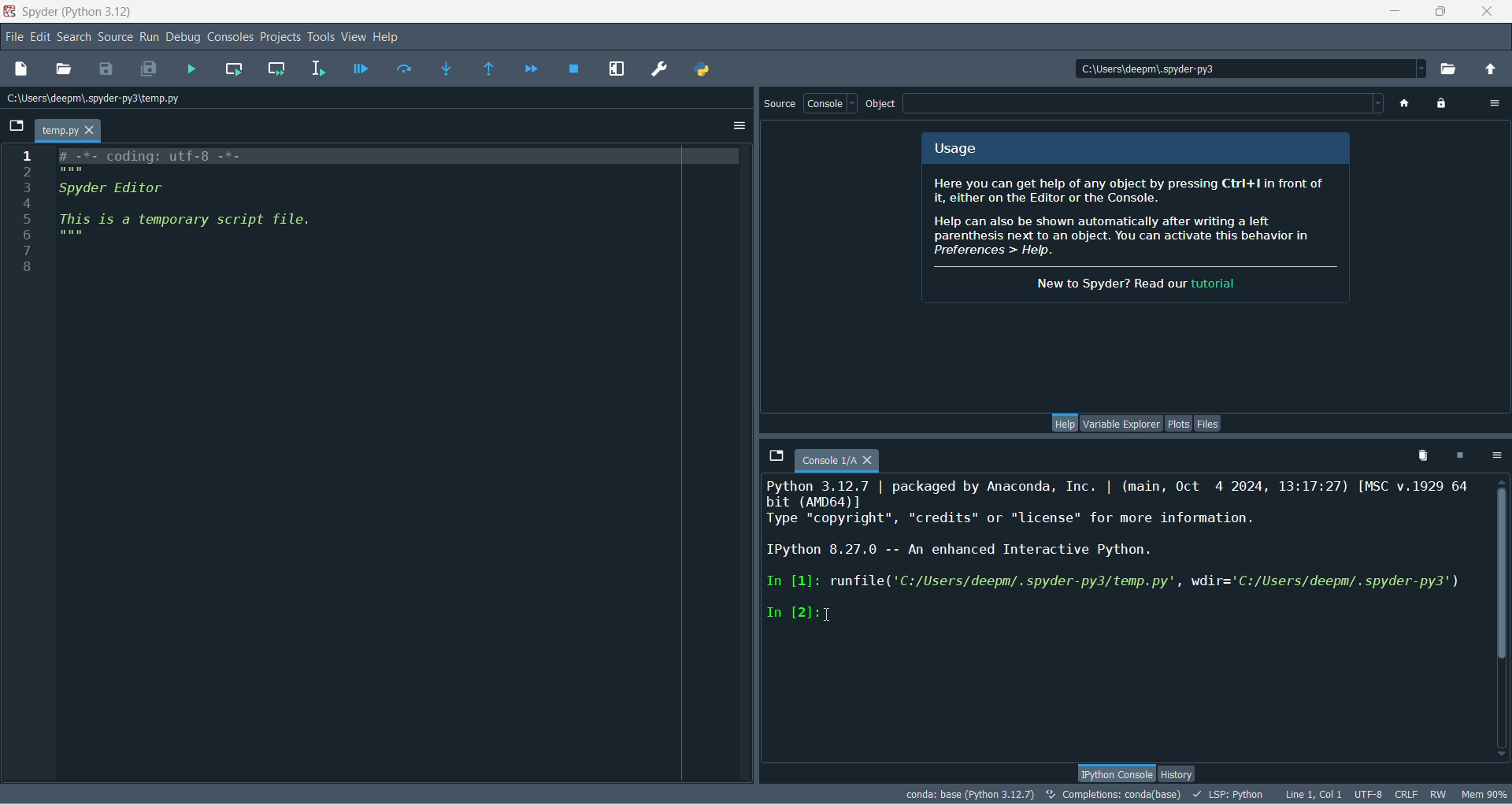 The width and height of the screenshot is (1512, 805). I want to click on UTF-8, so click(1369, 794).